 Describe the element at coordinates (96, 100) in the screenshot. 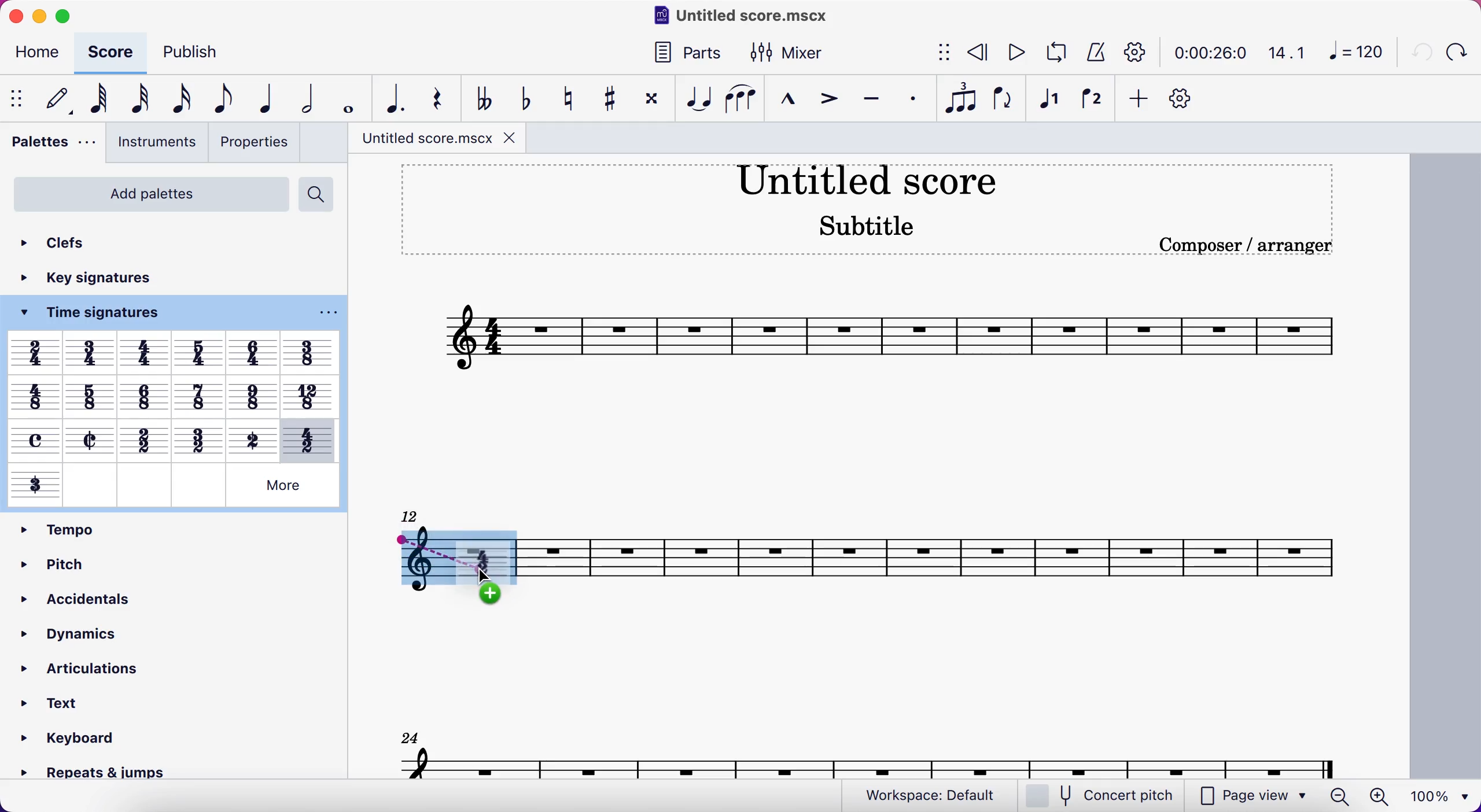

I see `64th note` at that location.